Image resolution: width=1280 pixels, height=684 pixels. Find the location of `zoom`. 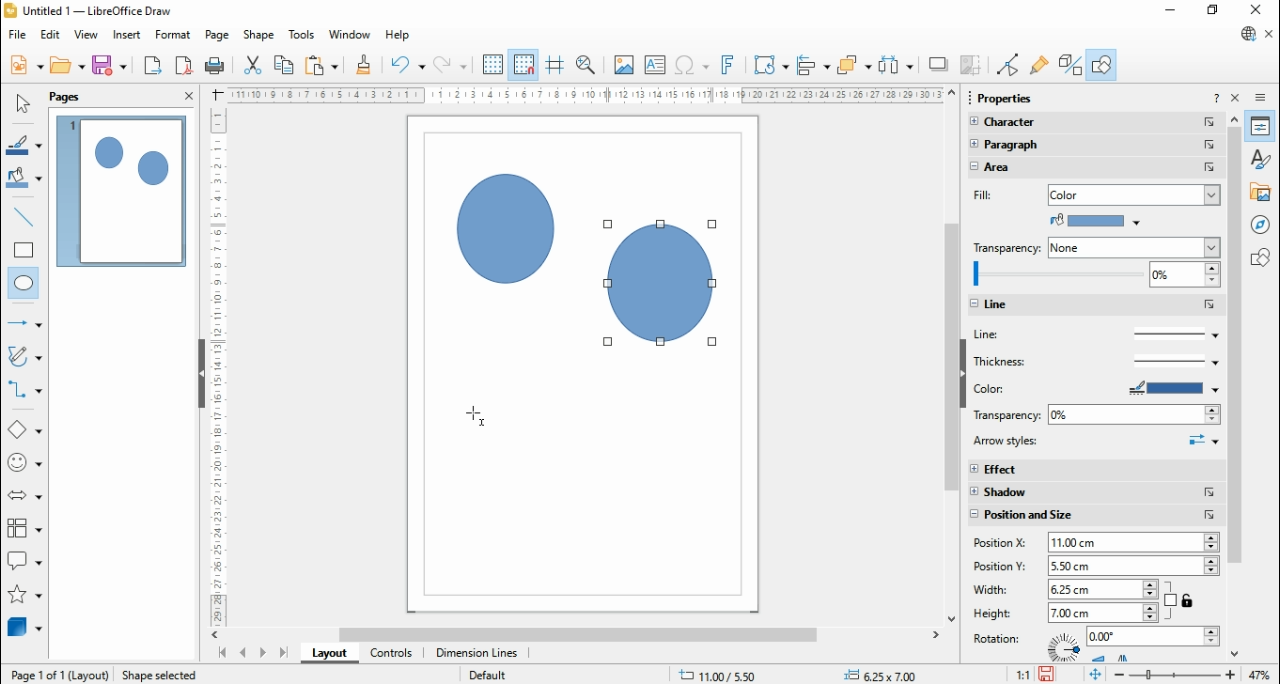

zoom is located at coordinates (1094, 277).